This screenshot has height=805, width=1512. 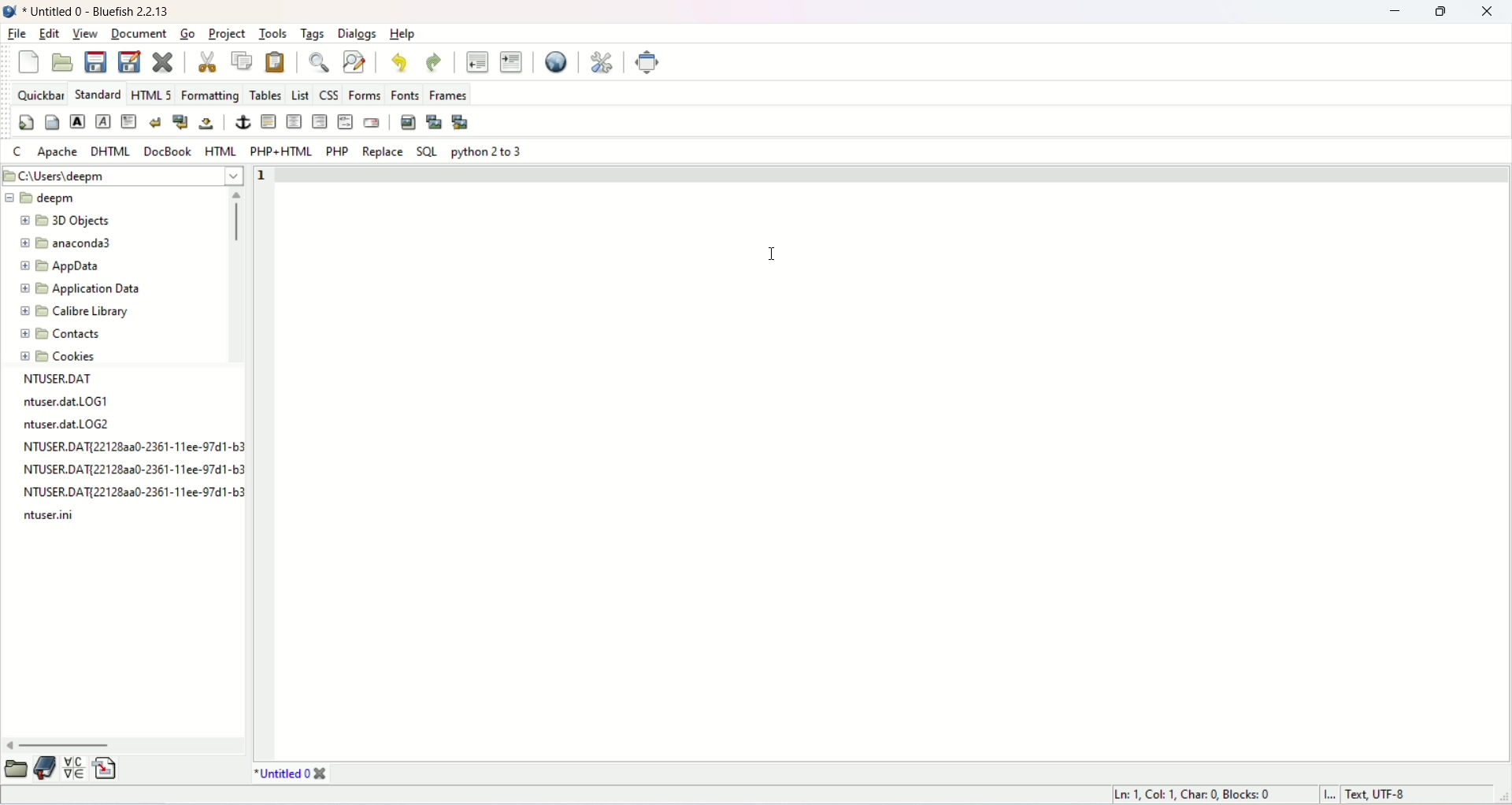 What do you see at coordinates (129, 449) in the screenshot?
I see `text` at bounding box center [129, 449].